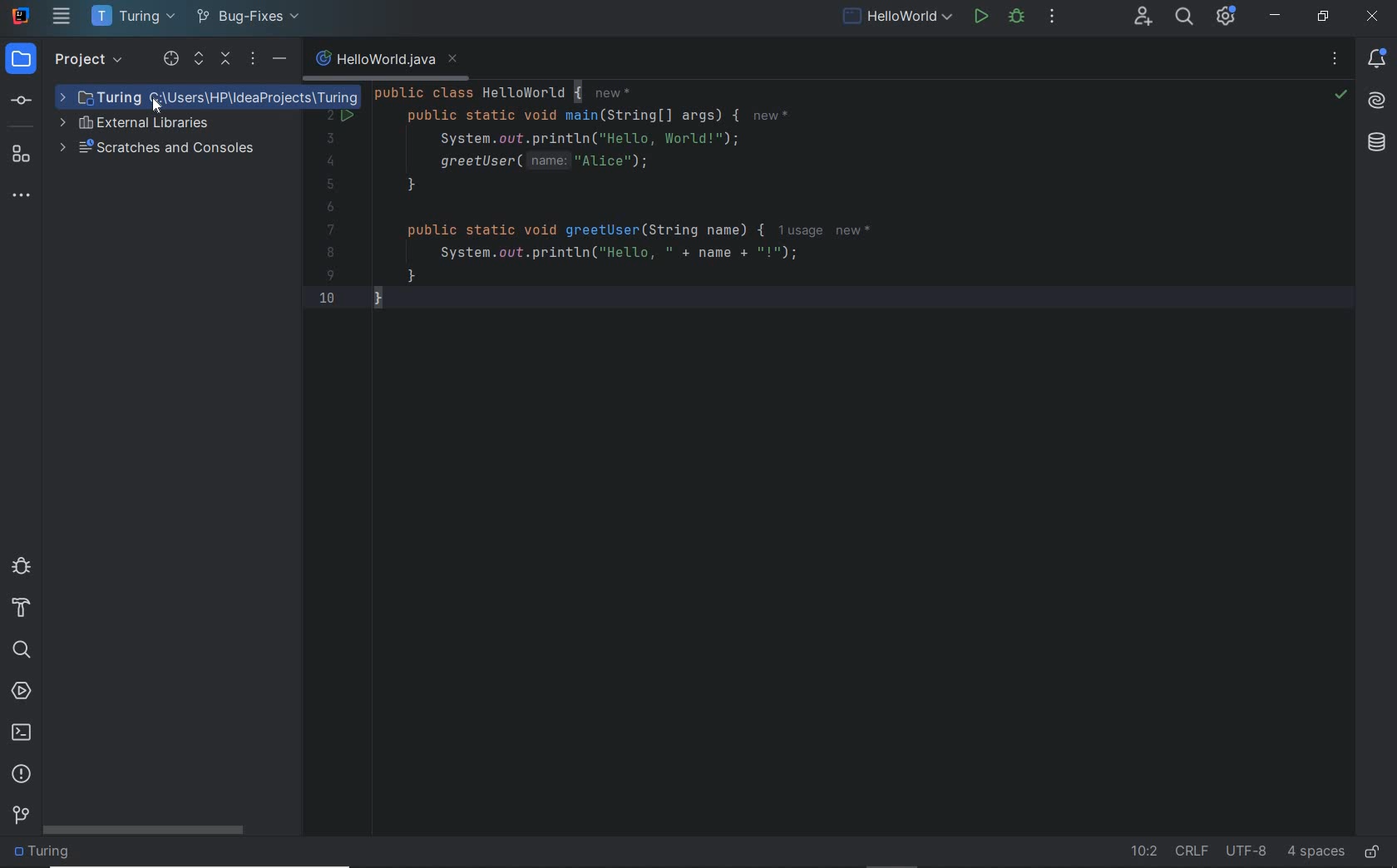 The image size is (1397, 868). Describe the element at coordinates (160, 149) in the screenshot. I see `scratches and consoles` at that location.